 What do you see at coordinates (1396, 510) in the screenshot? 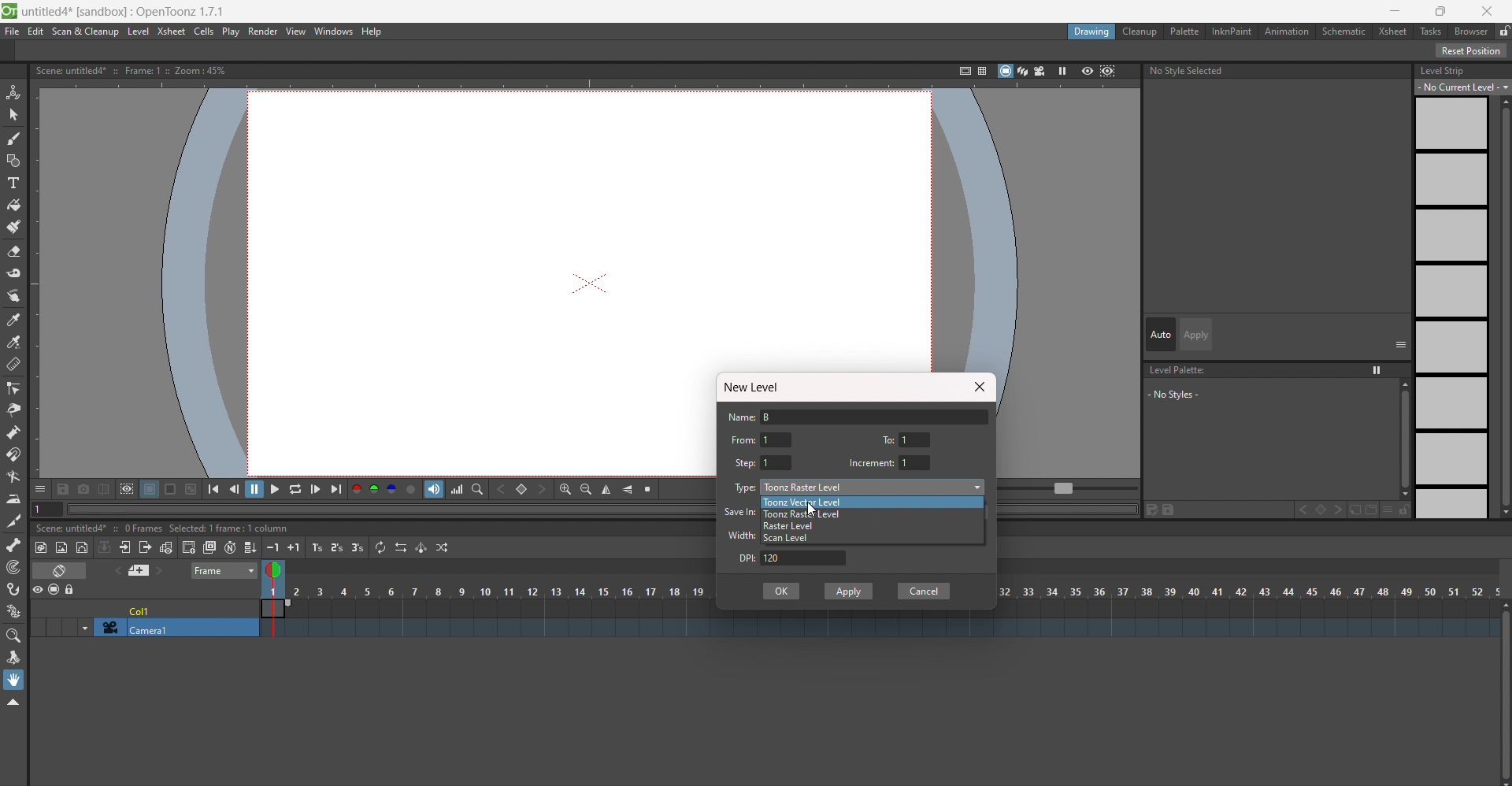
I see `options and lock` at bounding box center [1396, 510].